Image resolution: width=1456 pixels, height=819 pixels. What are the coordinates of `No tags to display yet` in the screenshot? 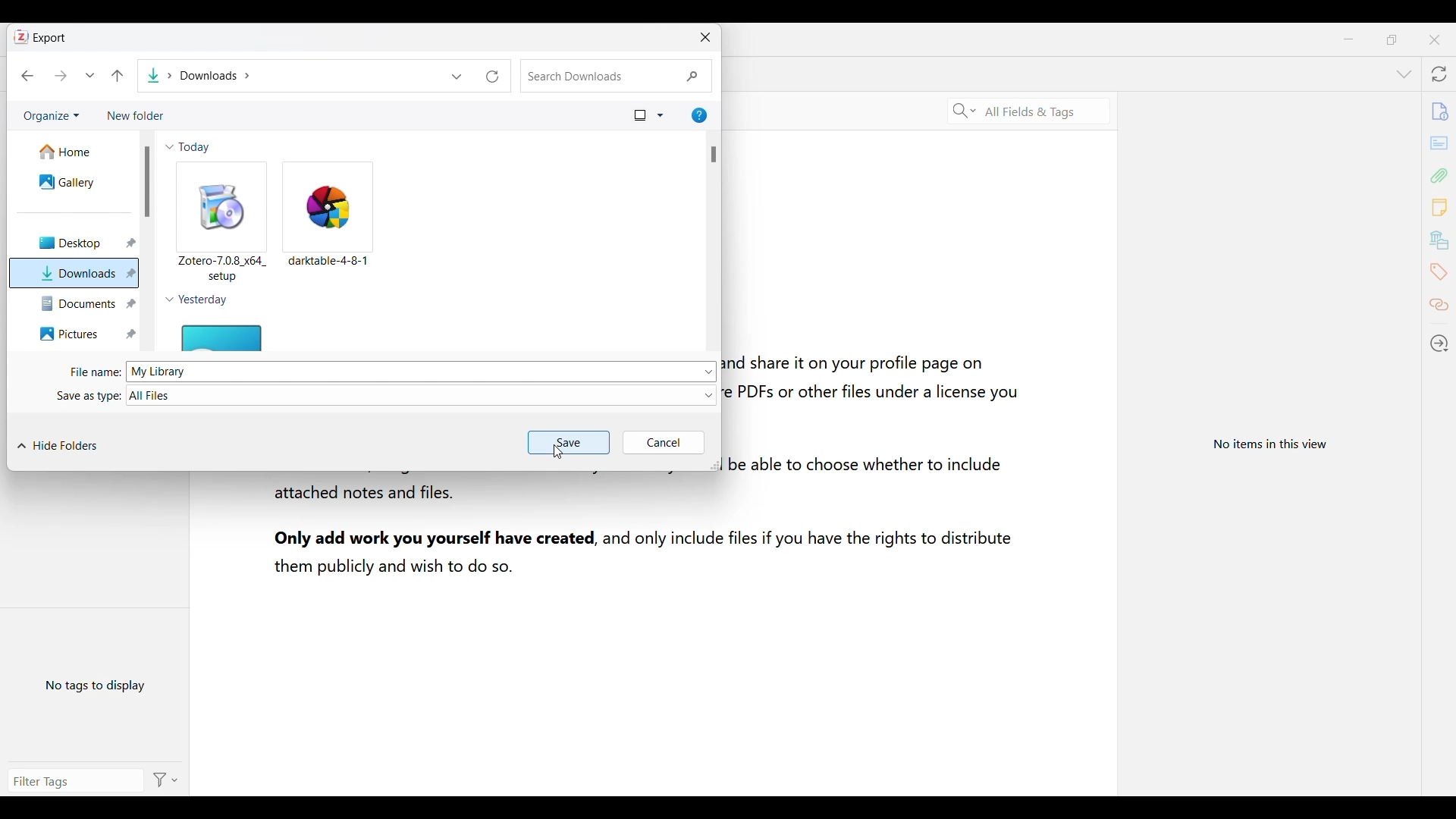 It's located at (96, 683).